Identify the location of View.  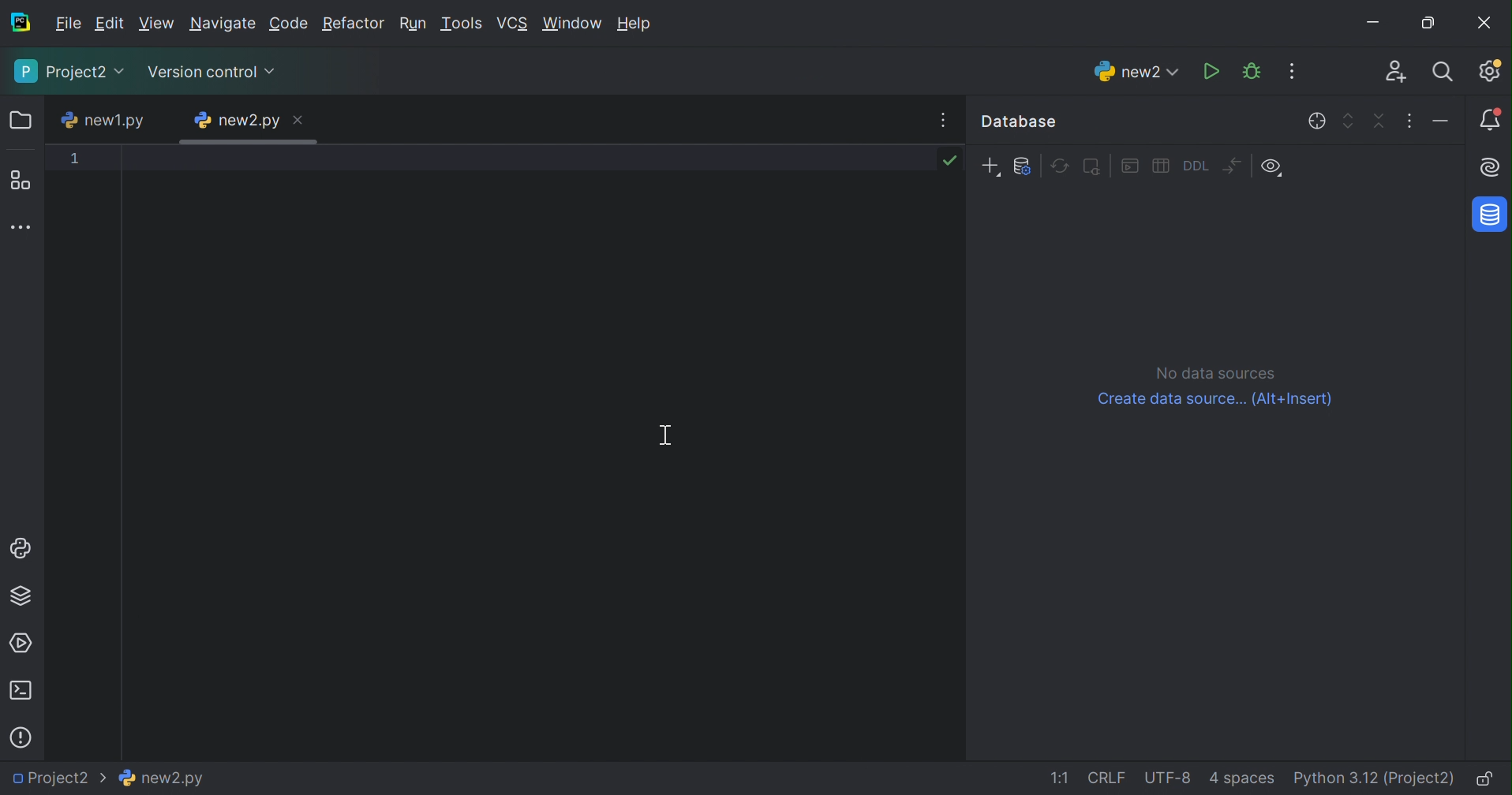
(155, 24).